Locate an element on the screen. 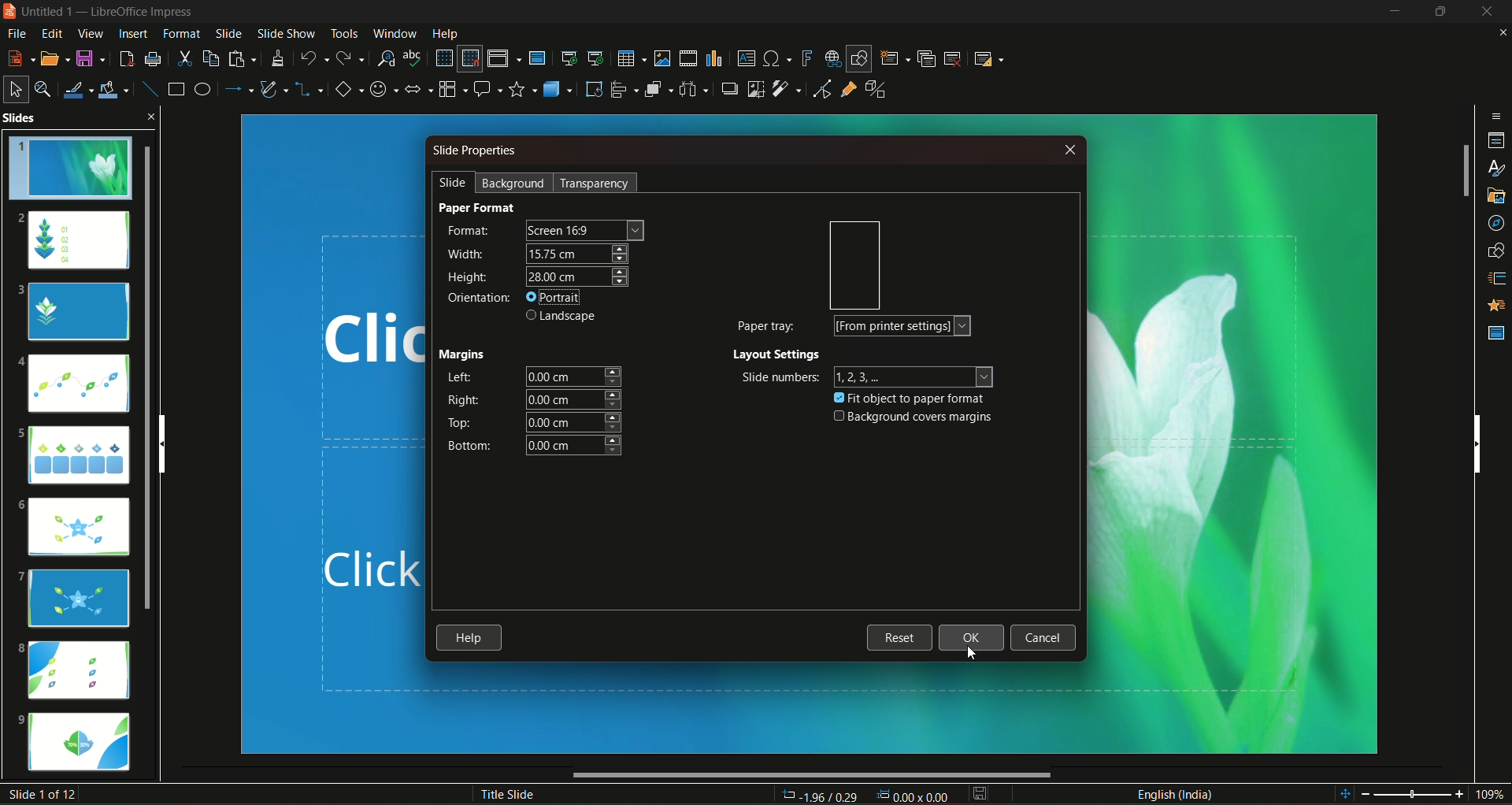 The image size is (1512, 805). block arrows is located at coordinates (419, 90).